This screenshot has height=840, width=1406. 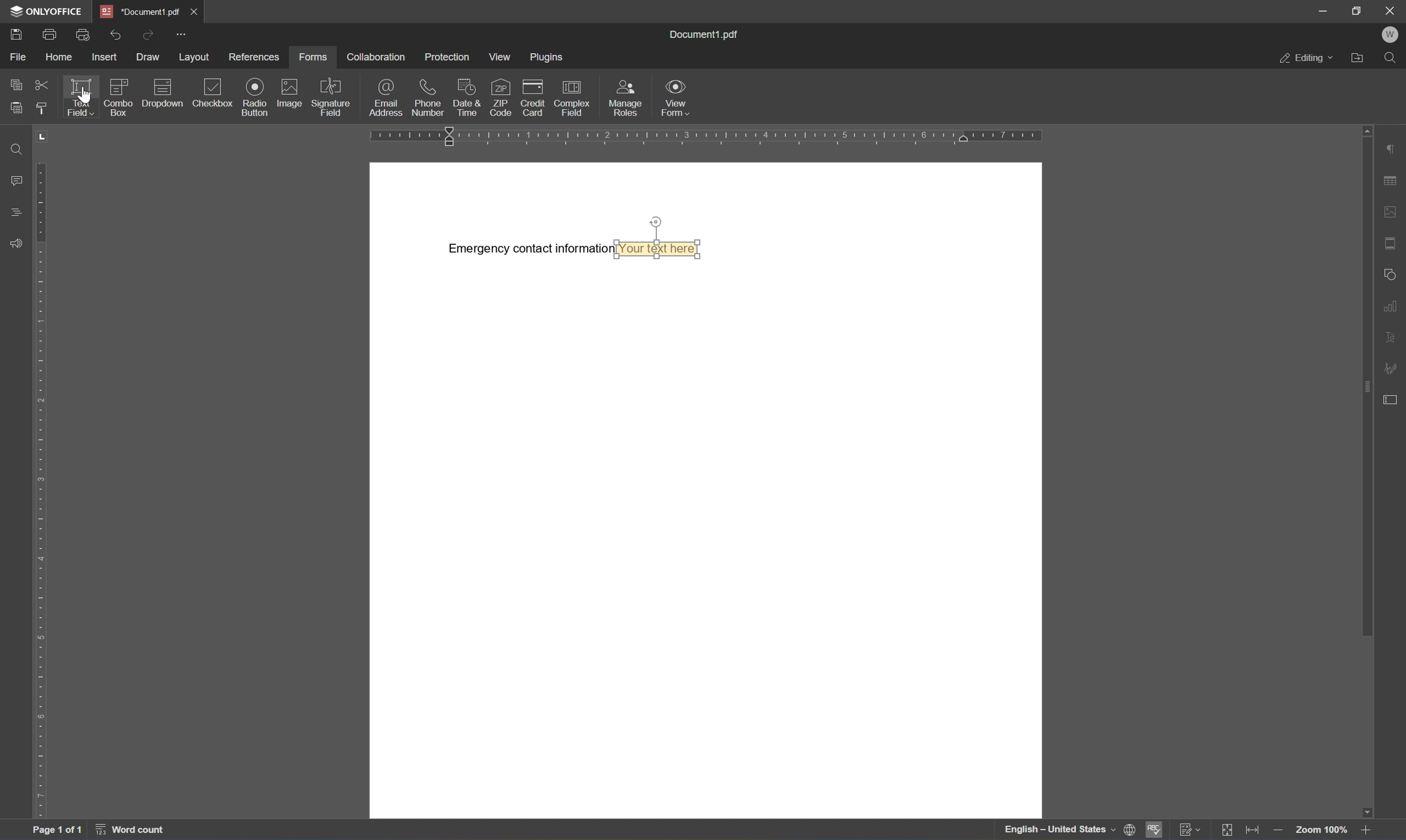 I want to click on restore down, so click(x=1357, y=10).